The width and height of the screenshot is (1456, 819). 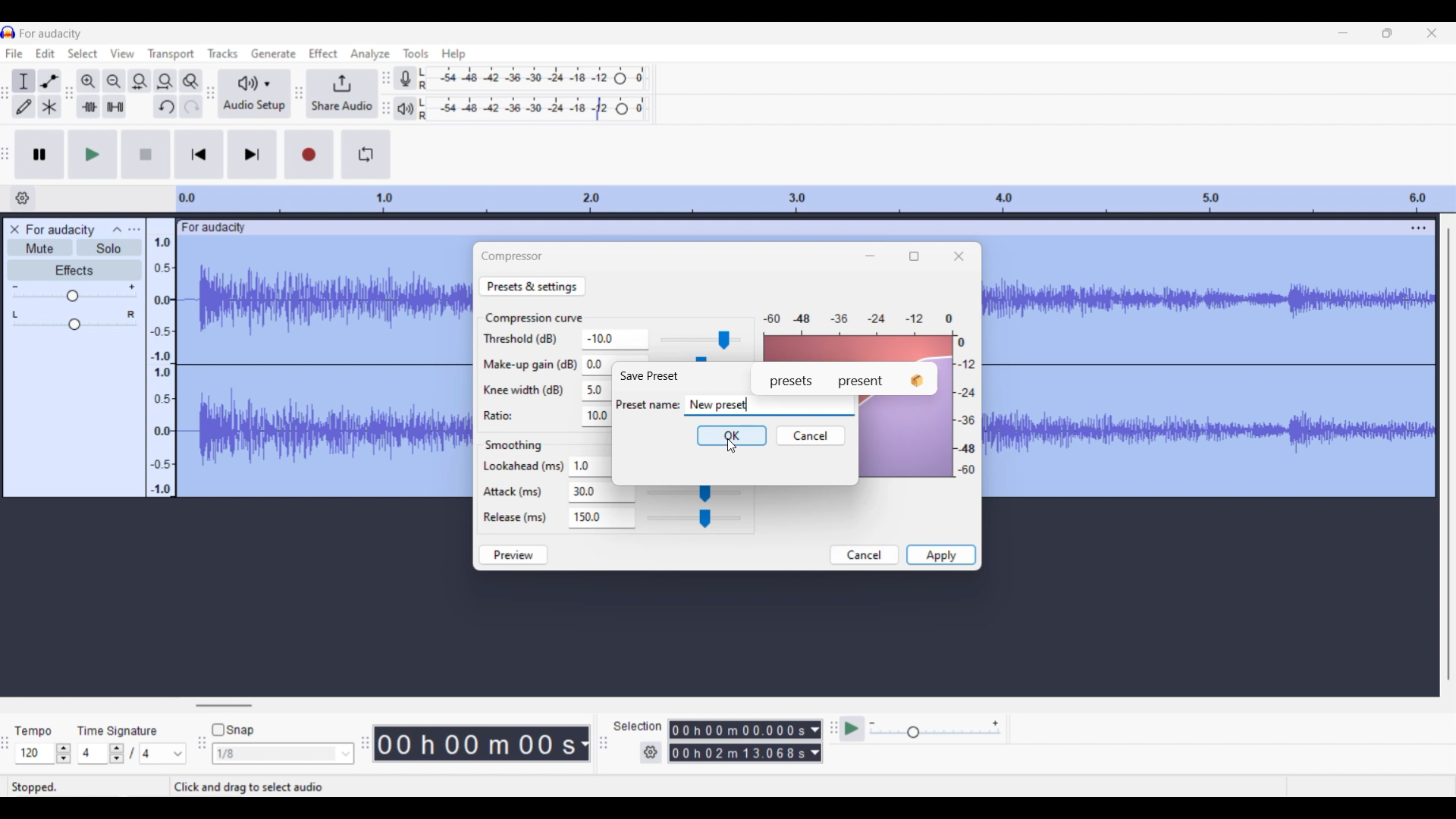 I want to click on Minimize , so click(x=1343, y=33).